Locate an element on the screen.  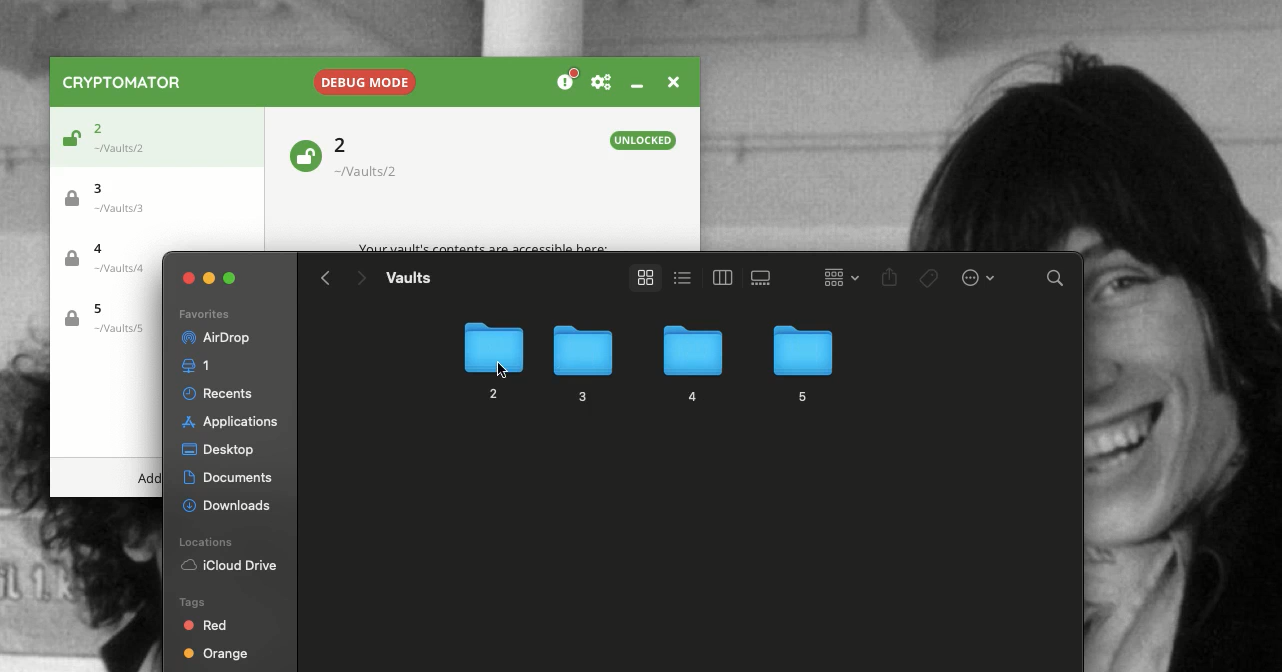
Close is located at coordinates (671, 80).